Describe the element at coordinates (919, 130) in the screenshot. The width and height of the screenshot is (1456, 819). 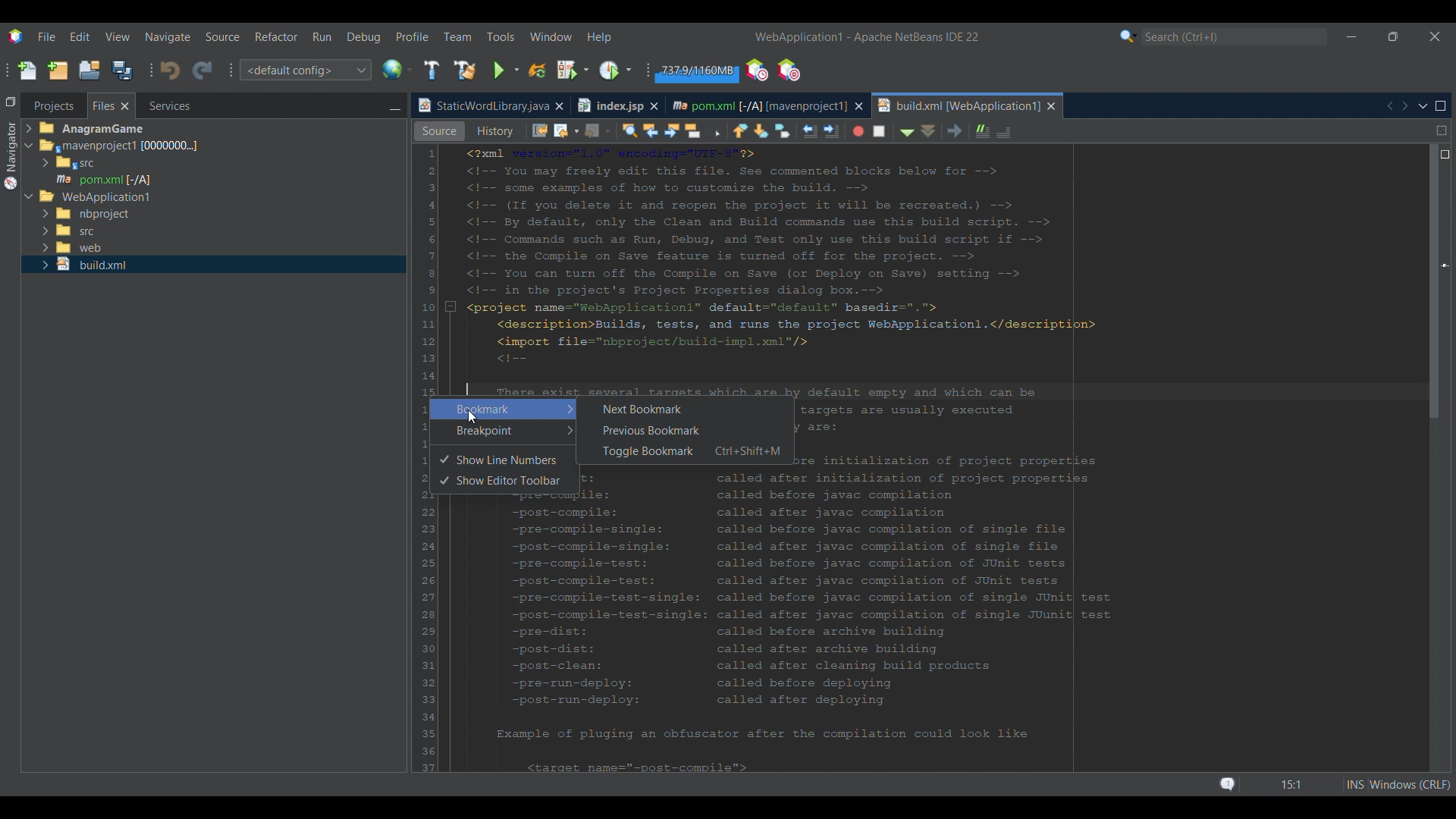
I see `Toggle bookmark` at that location.